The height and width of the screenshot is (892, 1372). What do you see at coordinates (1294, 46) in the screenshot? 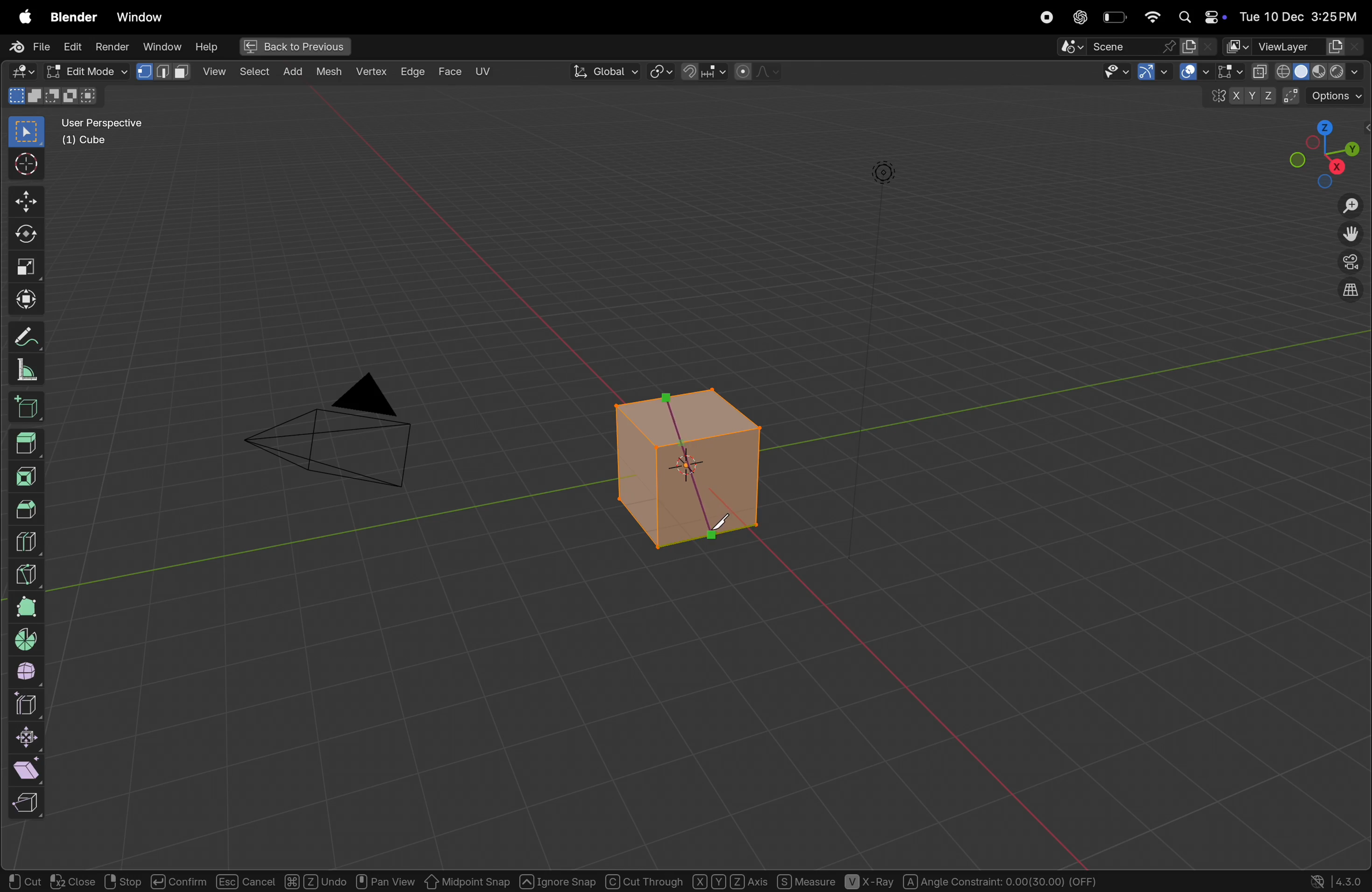
I see `View layer` at bounding box center [1294, 46].